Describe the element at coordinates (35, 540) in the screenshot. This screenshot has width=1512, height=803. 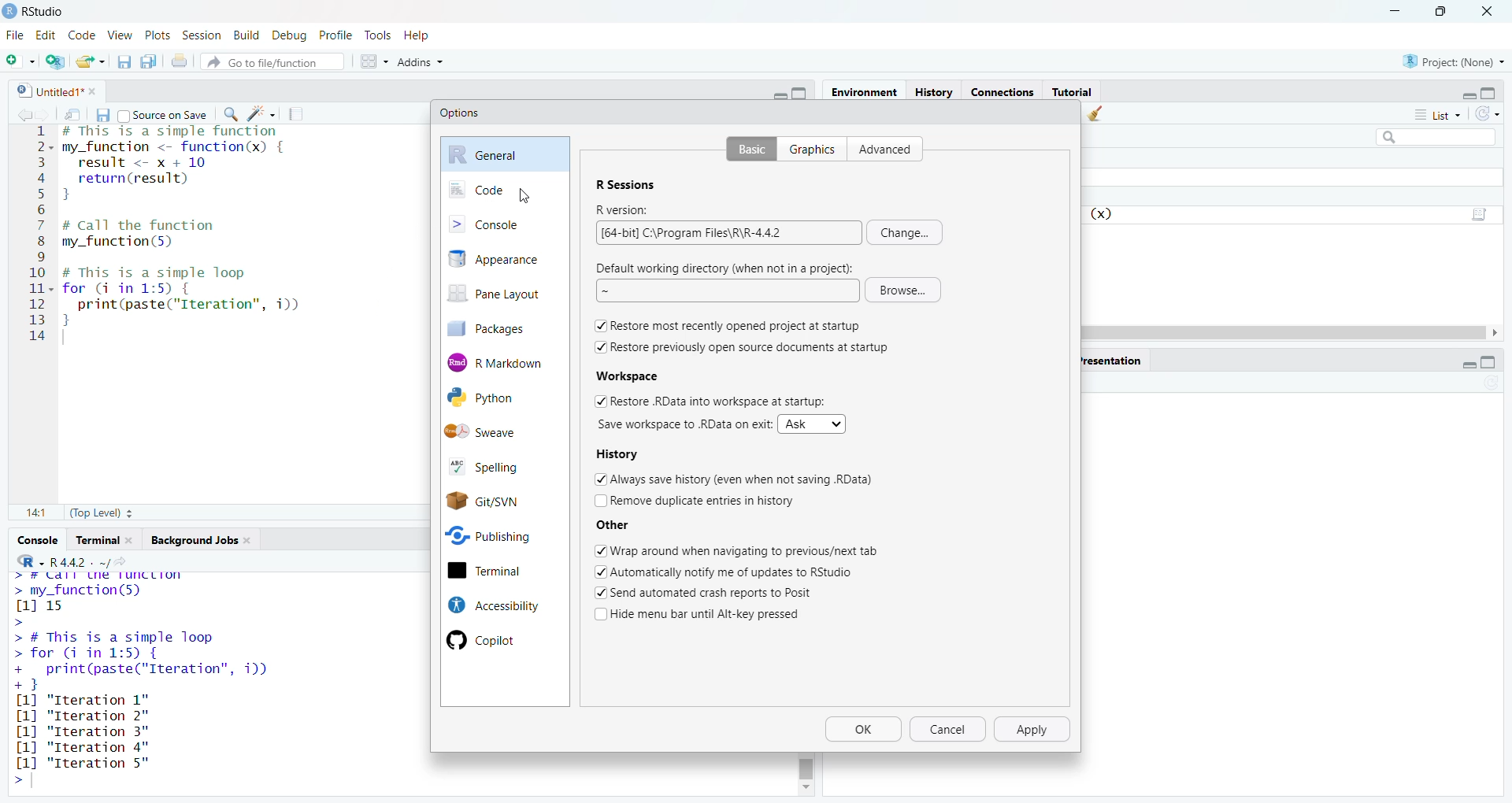
I see `console` at that location.